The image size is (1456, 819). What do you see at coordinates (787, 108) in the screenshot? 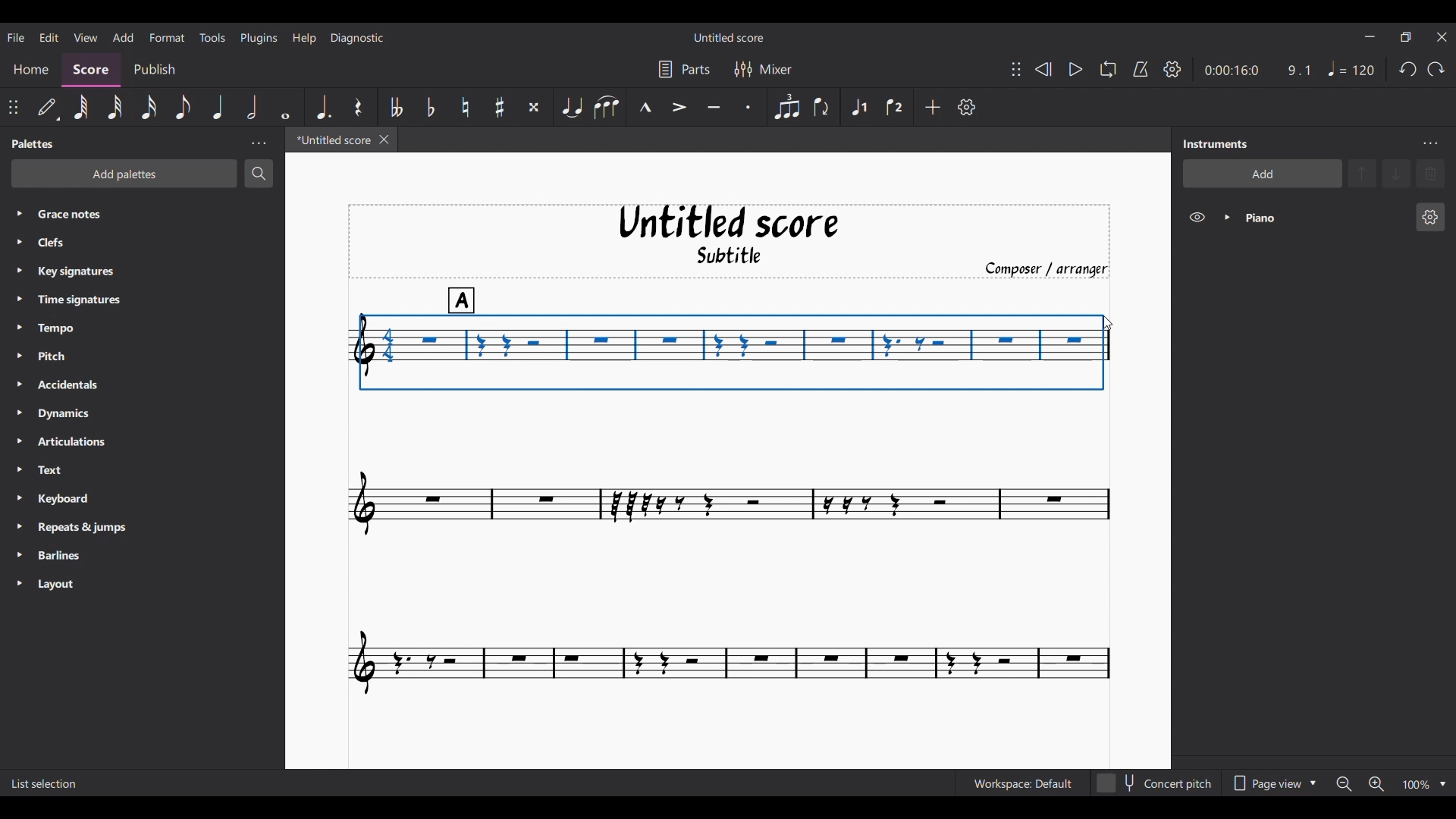
I see `Tuplet` at bounding box center [787, 108].